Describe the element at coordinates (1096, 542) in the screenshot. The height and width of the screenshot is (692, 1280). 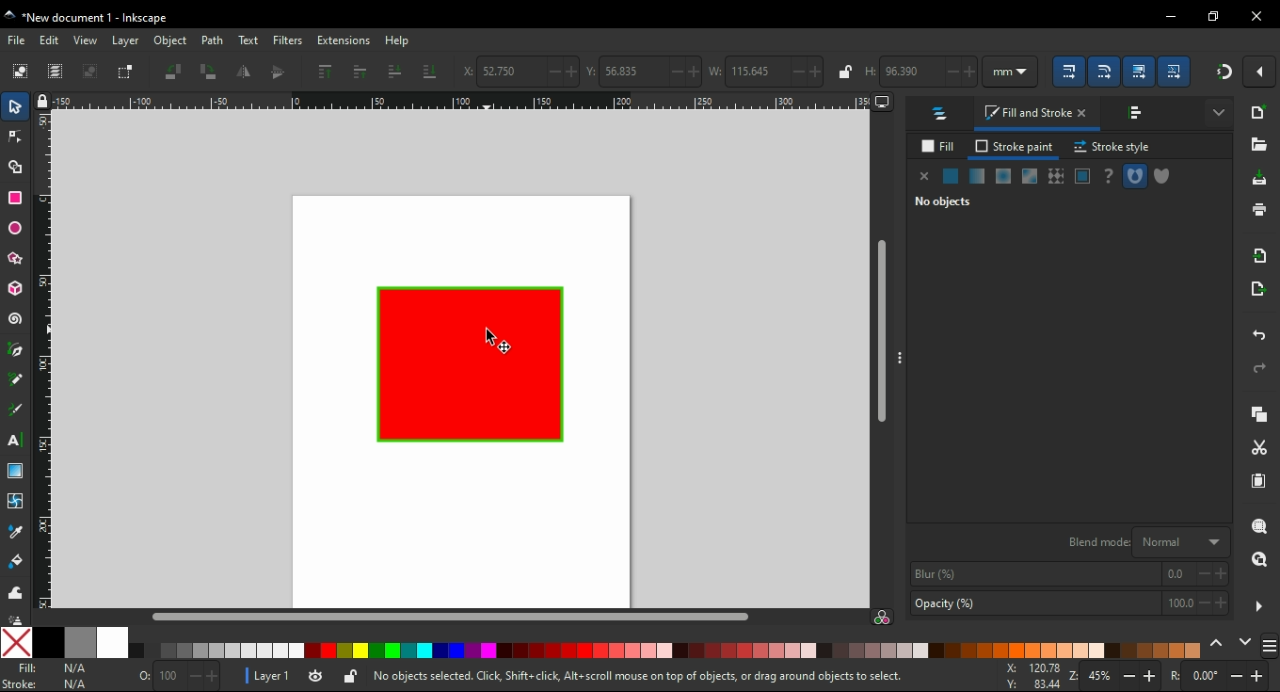
I see `blend mode` at that location.